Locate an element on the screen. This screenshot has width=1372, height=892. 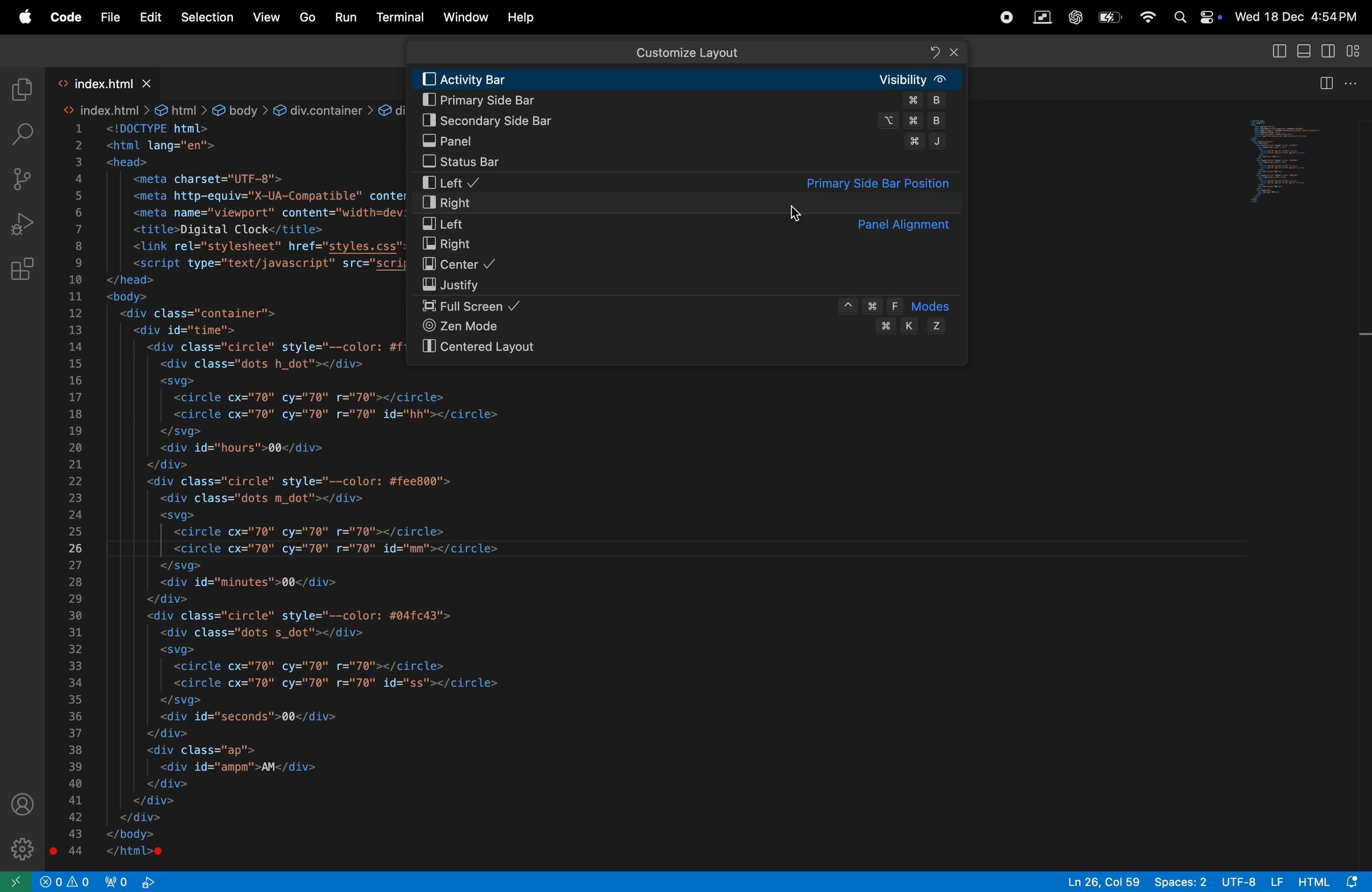
status bar is located at coordinates (684, 164).